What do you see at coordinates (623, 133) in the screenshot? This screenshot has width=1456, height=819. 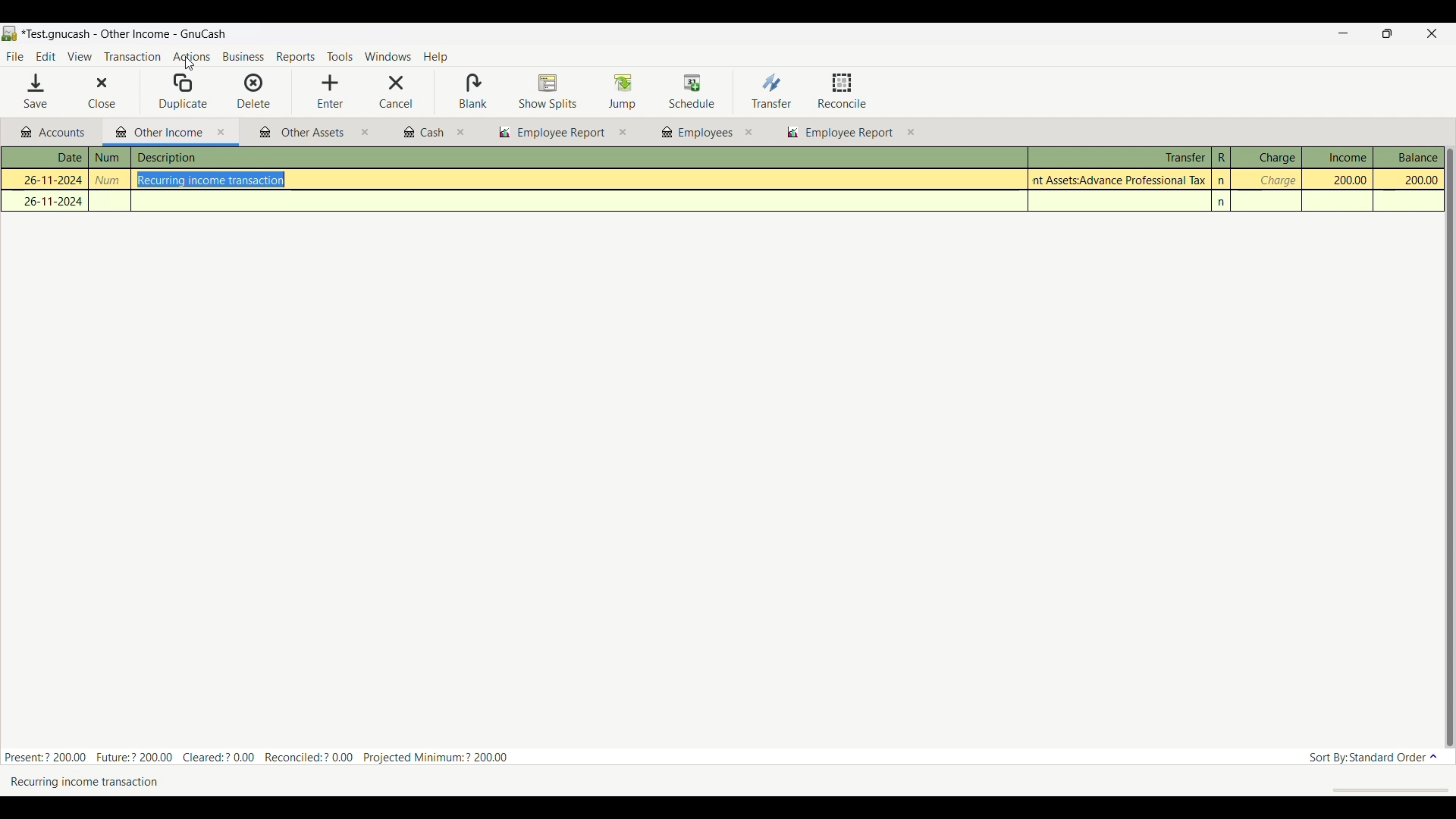 I see `close` at bounding box center [623, 133].